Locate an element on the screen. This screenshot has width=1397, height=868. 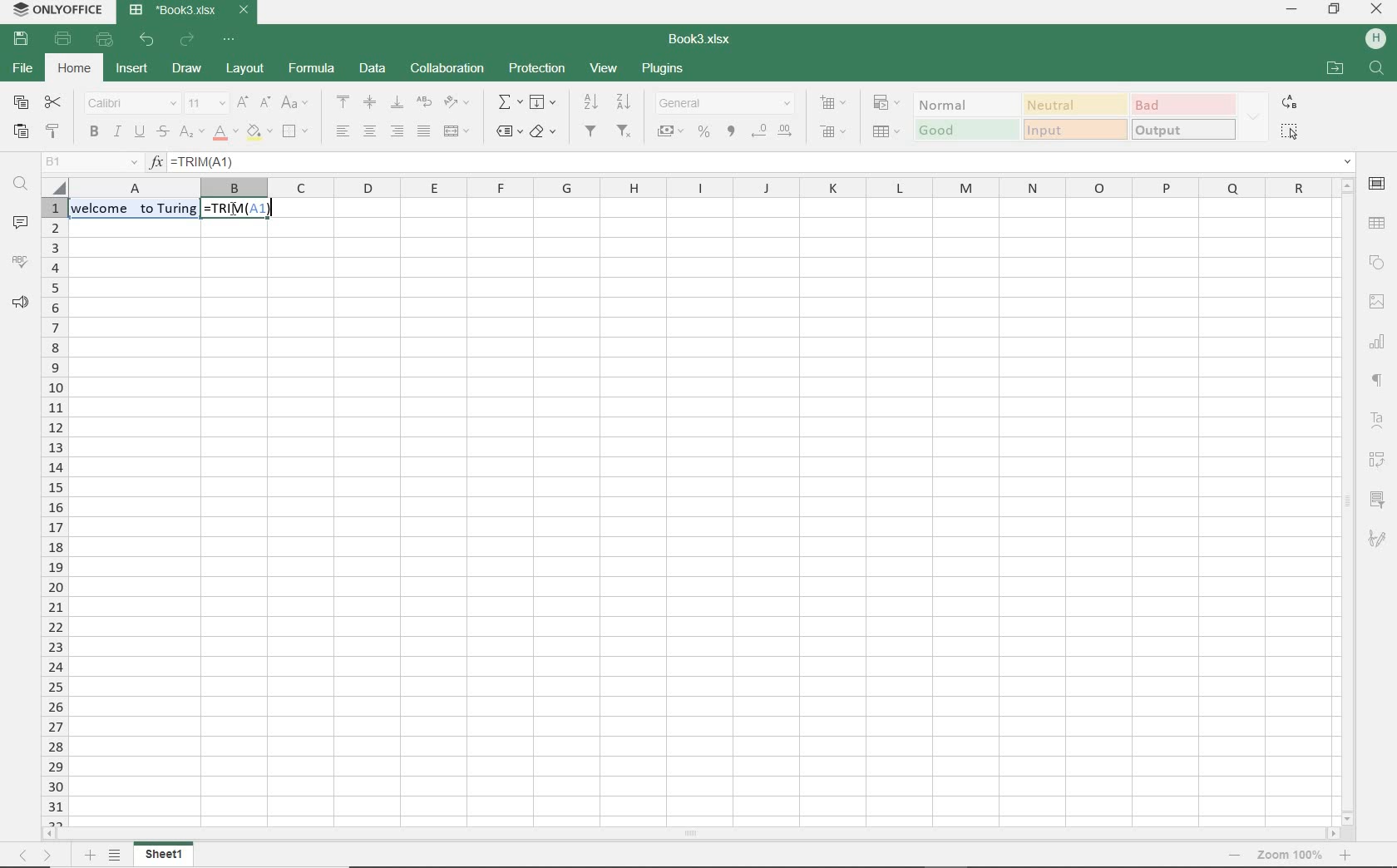
plugins is located at coordinates (664, 69).